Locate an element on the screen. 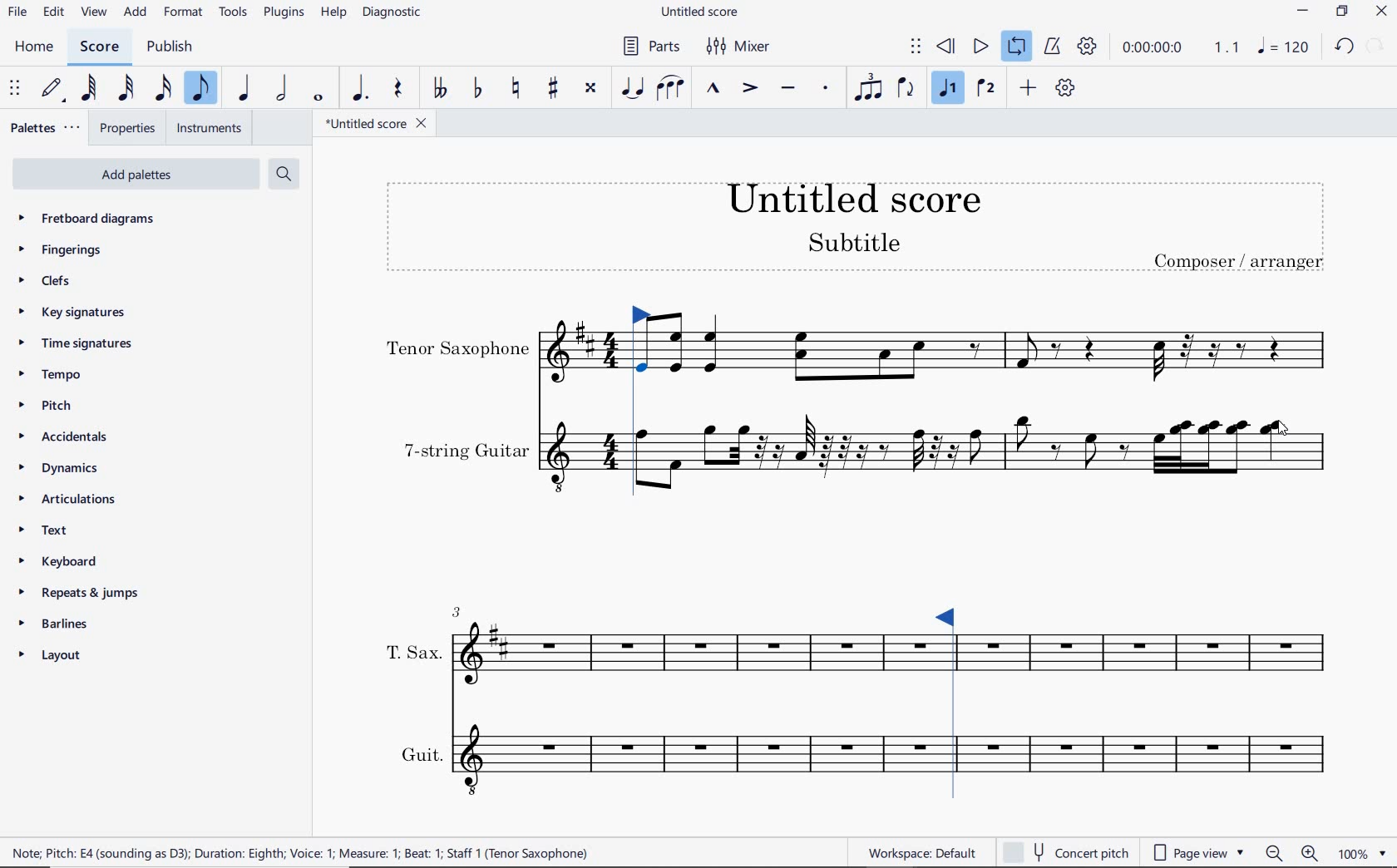 This screenshot has width=1397, height=868. INSTRUMENT: 7-STRING GUITAR is located at coordinates (1009, 454).